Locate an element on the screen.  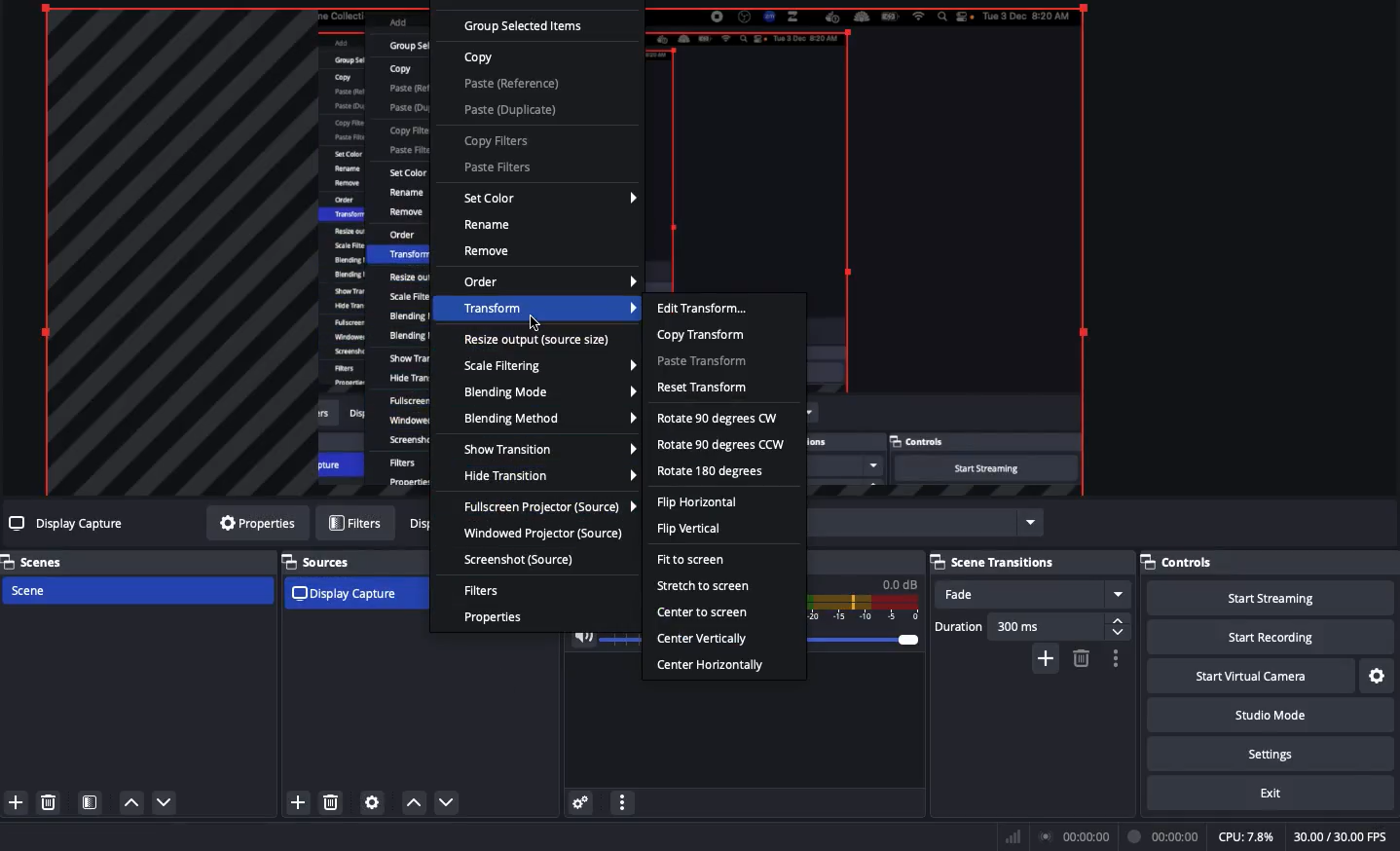
Bar is located at coordinates (1011, 836).